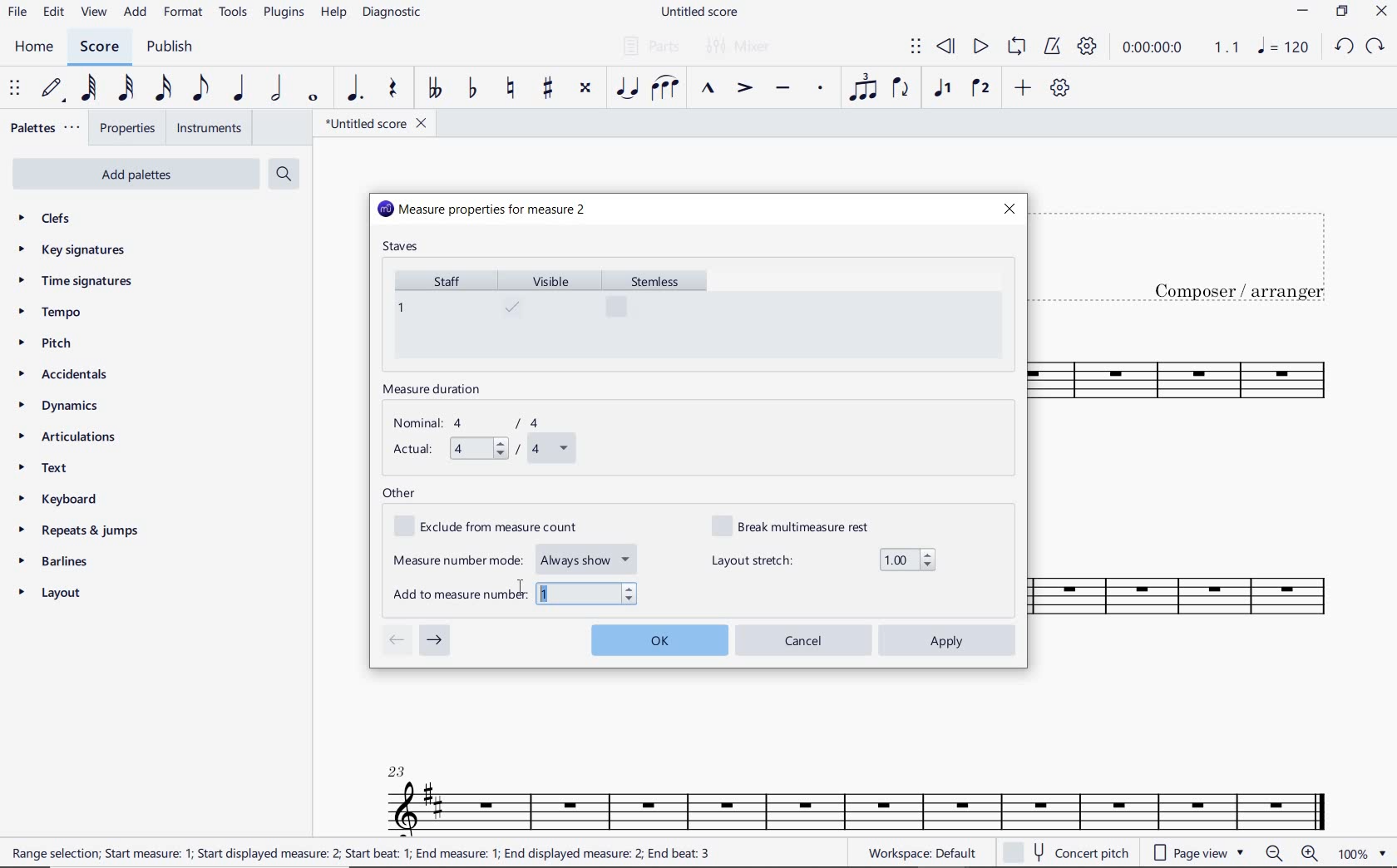 The height and width of the screenshot is (868, 1397). What do you see at coordinates (399, 494) in the screenshot?
I see `other` at bounding box center [399, 494].